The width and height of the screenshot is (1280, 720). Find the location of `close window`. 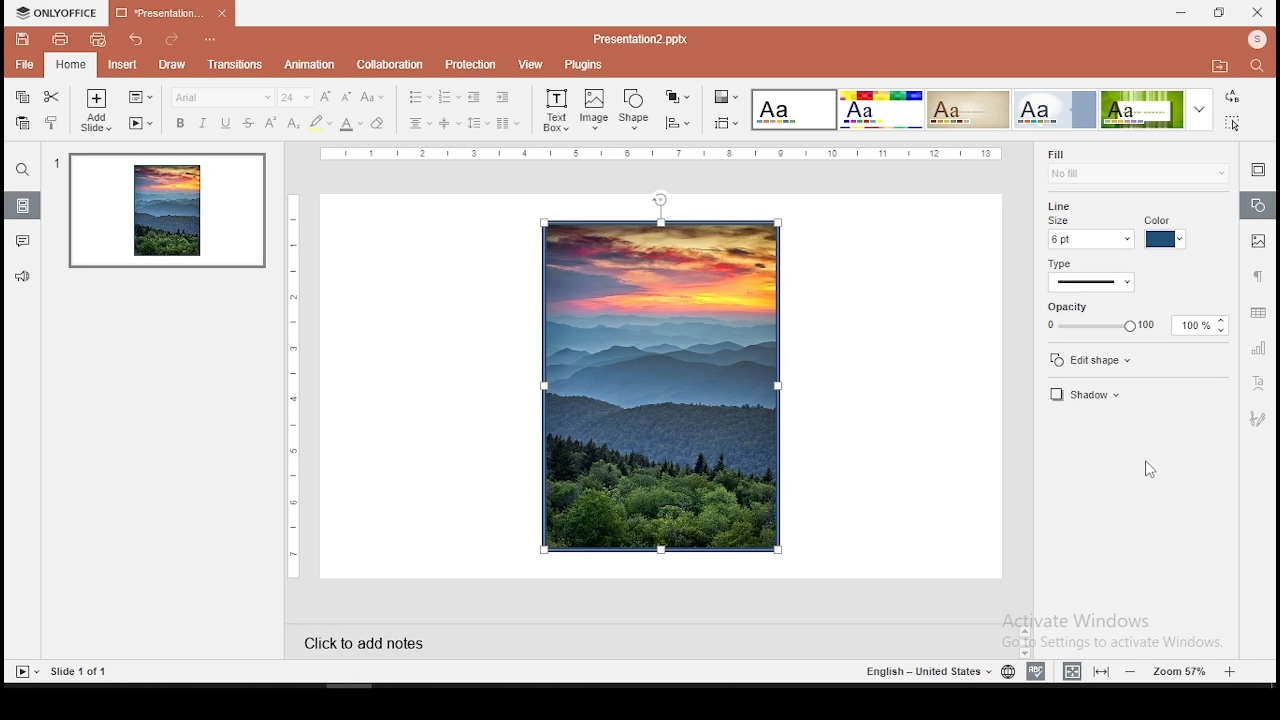

close window is located at coordinates (1256, 13).